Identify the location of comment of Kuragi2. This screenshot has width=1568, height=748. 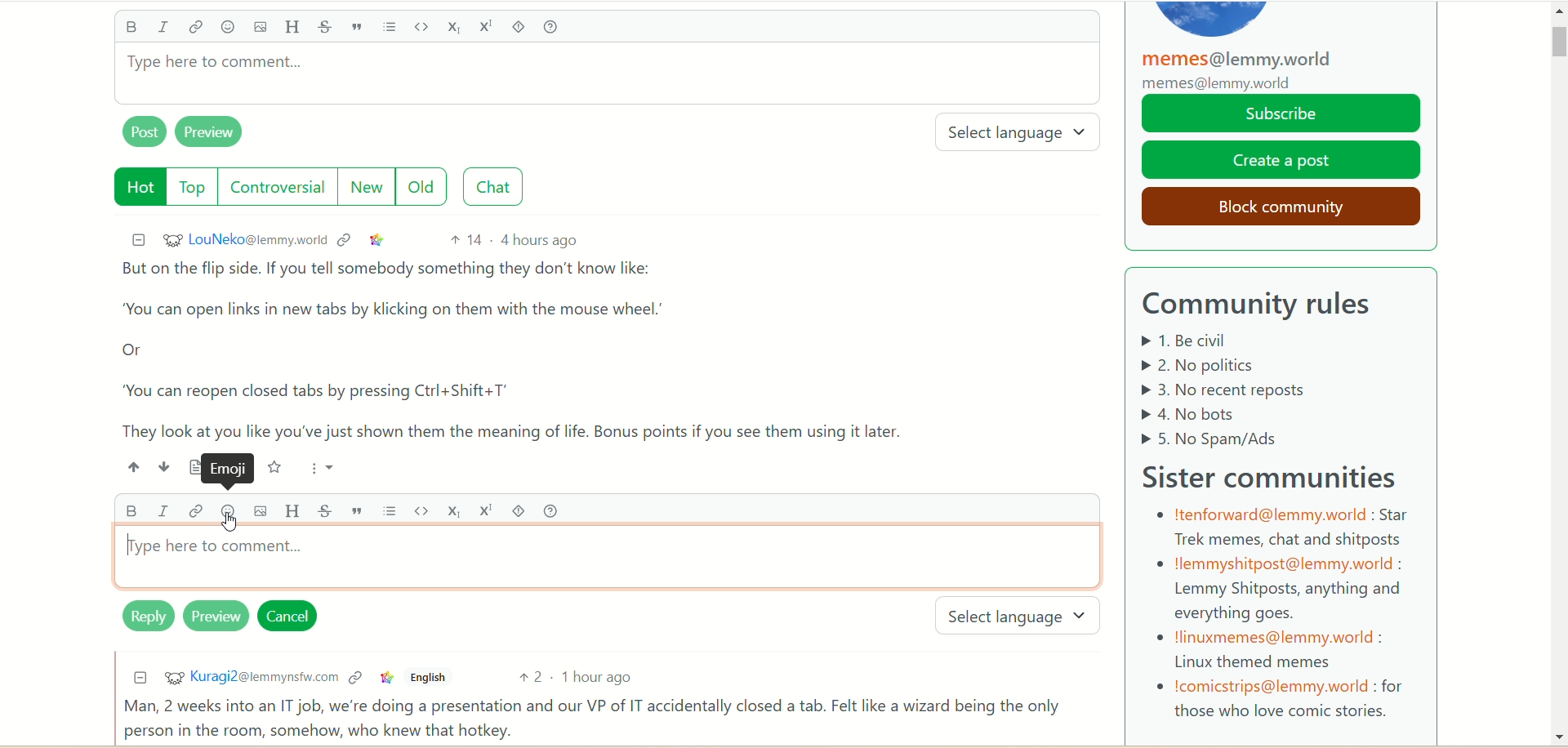
(599, 719).